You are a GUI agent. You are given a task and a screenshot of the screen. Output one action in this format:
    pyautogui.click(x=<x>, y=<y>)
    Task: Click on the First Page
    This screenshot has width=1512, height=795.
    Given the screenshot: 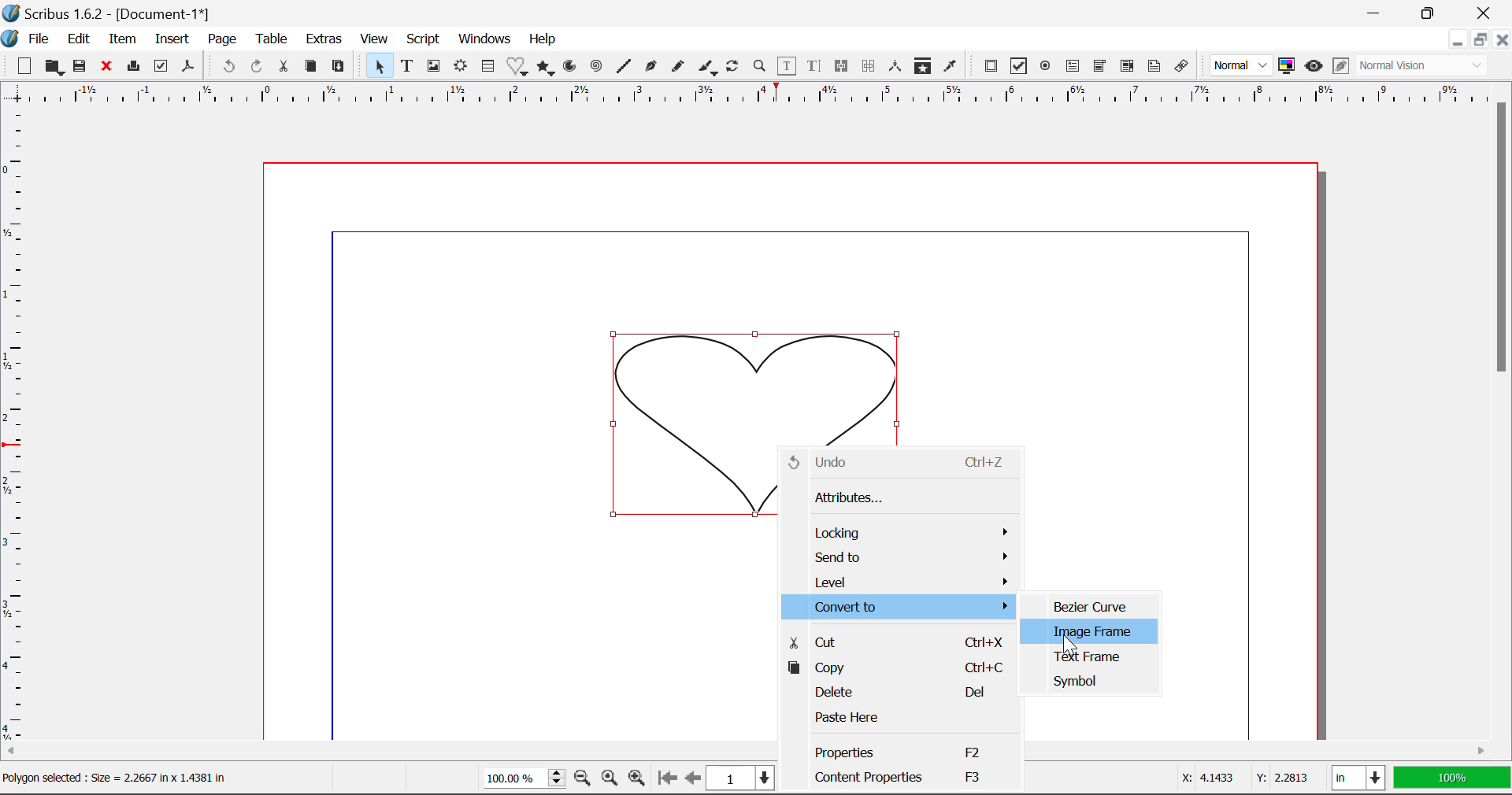 What is the action you would take?
    pyautogui.click(x=667, y=778)
    